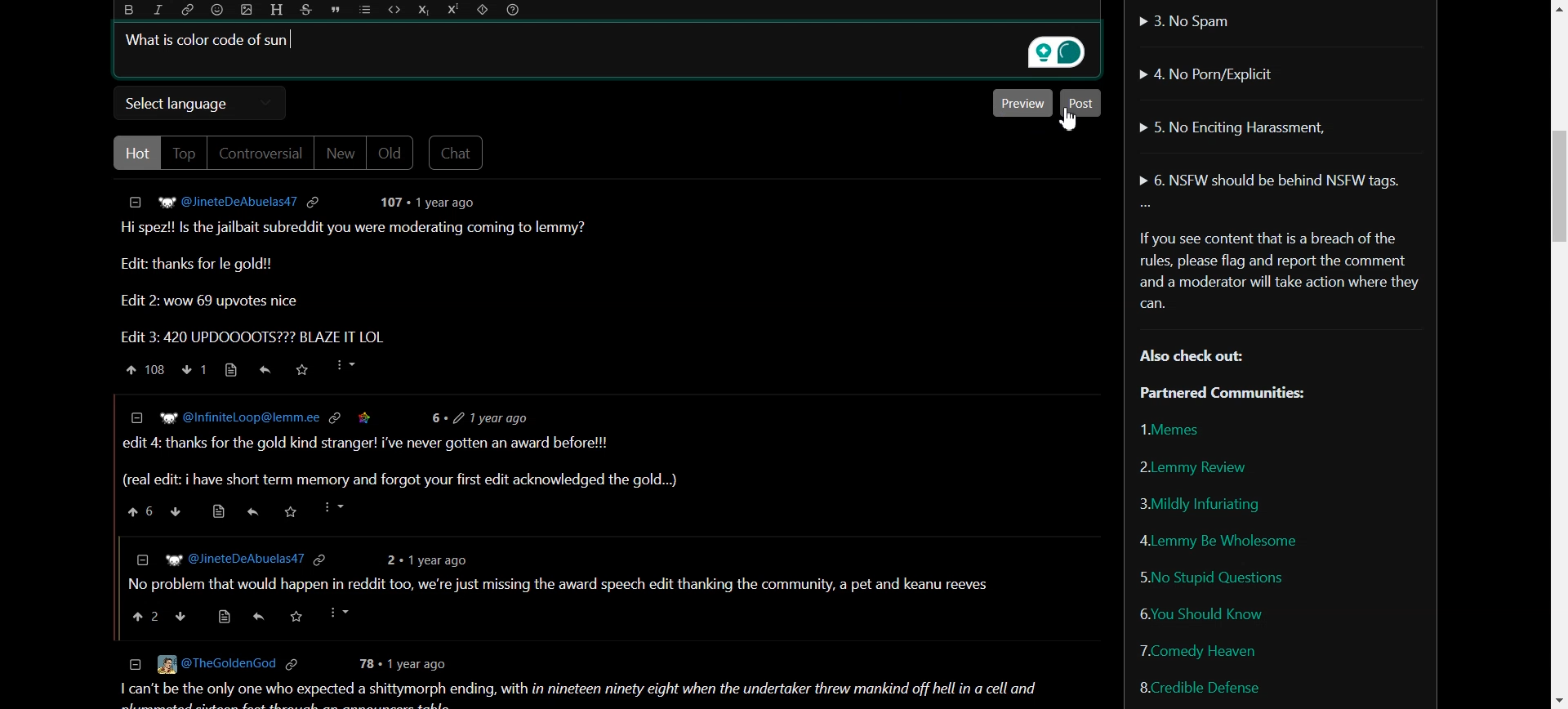 Image resolution: width=1568 pixels, height=709 pixels. What do you see at coordinates (202, 38) in the screenshot?
I see `Text` at bounding box center [202, 38].